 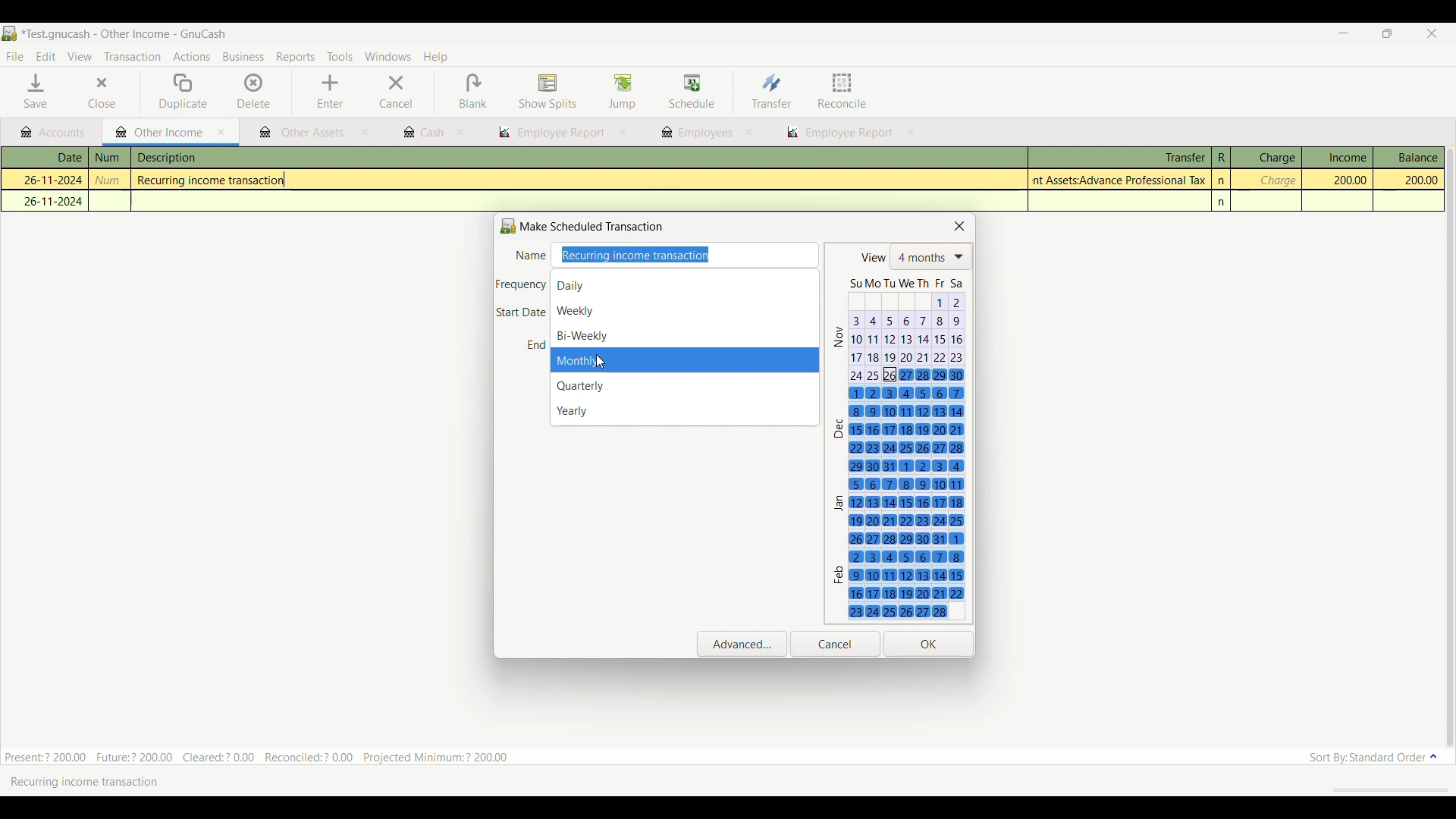 I want to click on Recurring income transaction, so click(x=217, y=180).